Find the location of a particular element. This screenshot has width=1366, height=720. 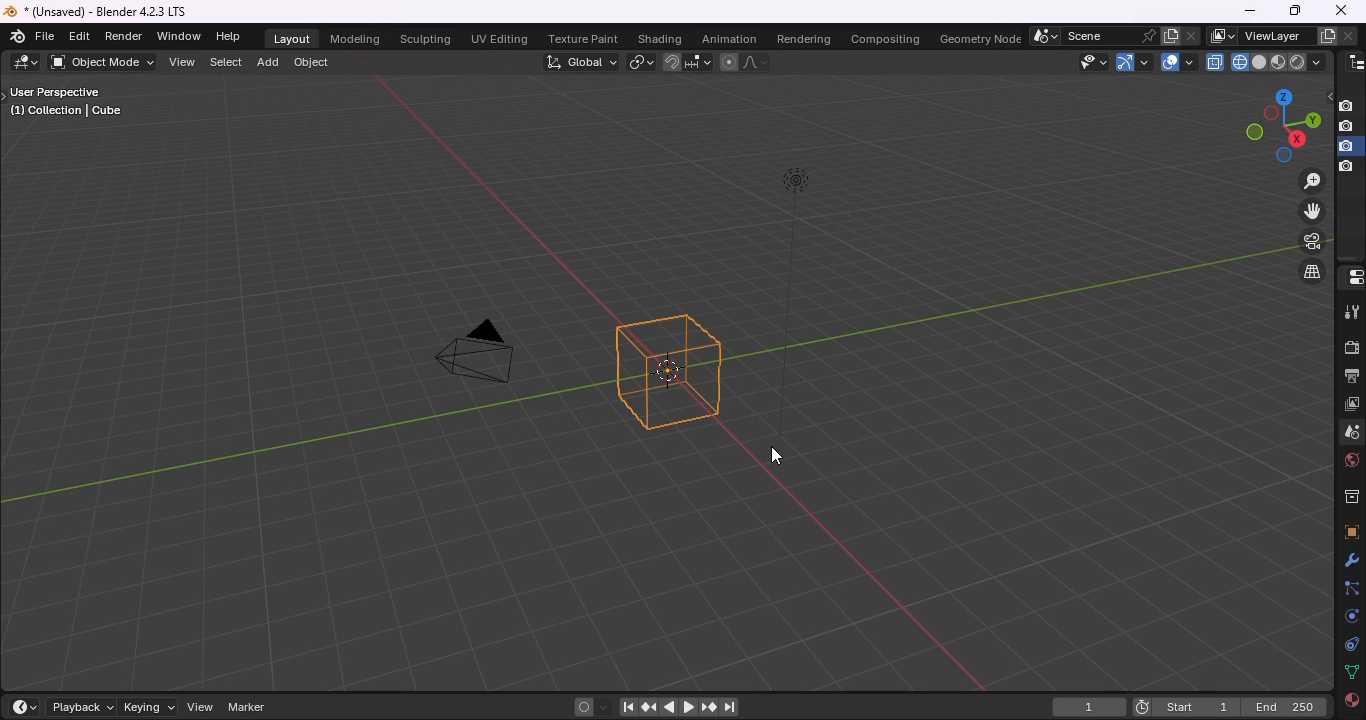

setting is located at coordinates (1349, 561).